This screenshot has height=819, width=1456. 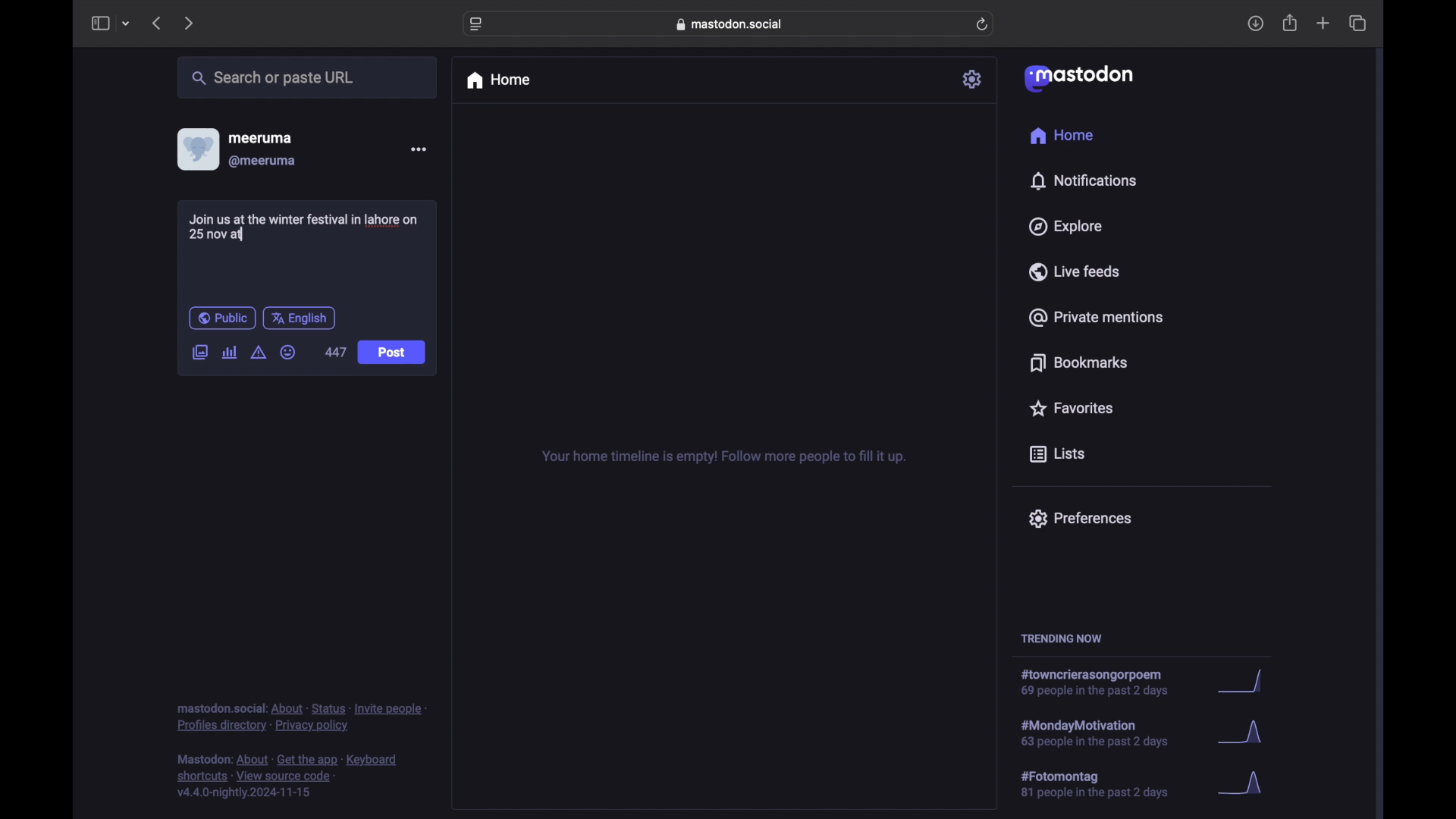 I want to click on explore, so click(x=1064, y=227).